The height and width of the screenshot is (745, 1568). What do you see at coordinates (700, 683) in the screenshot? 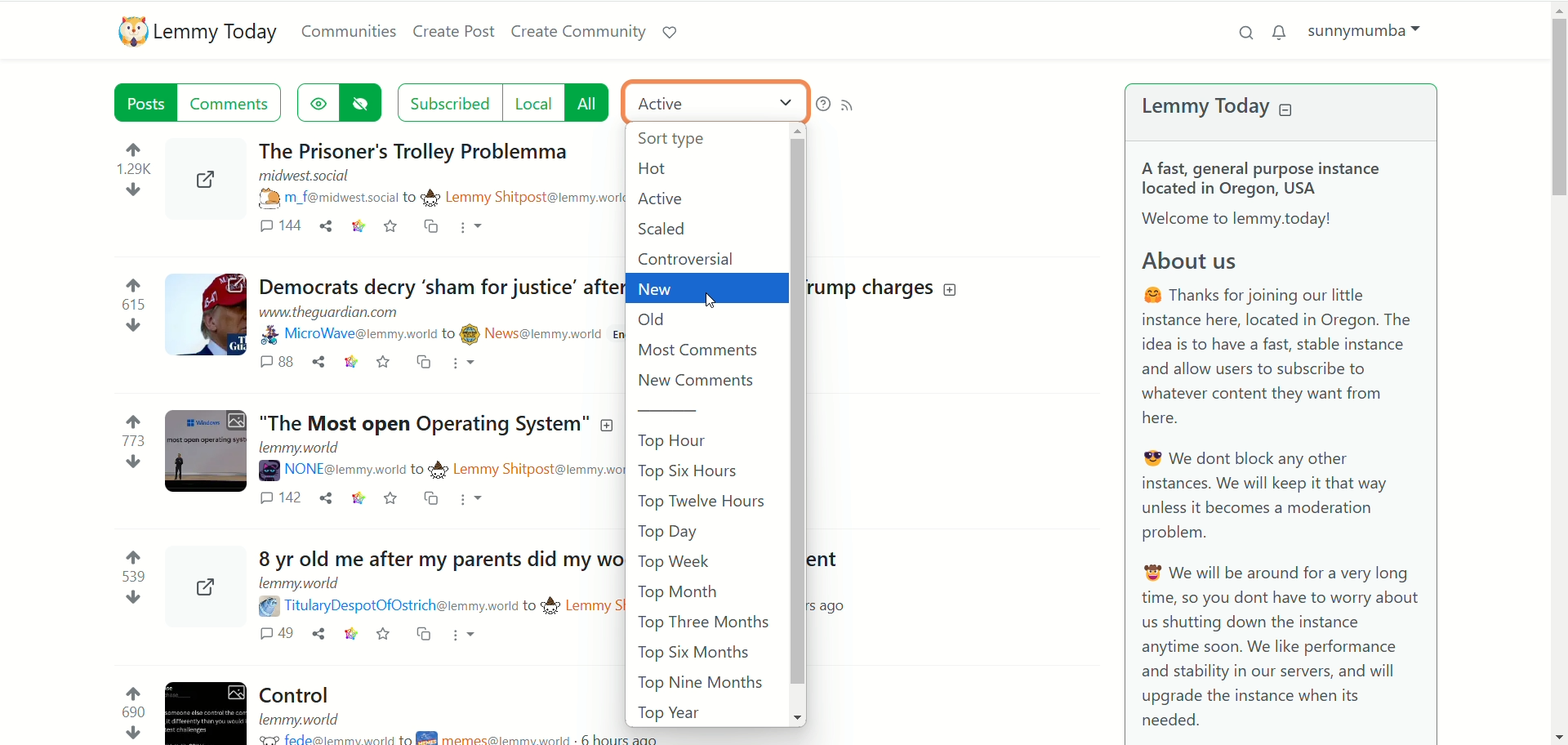
I see `top nine months` at bounding box center [700, 683].